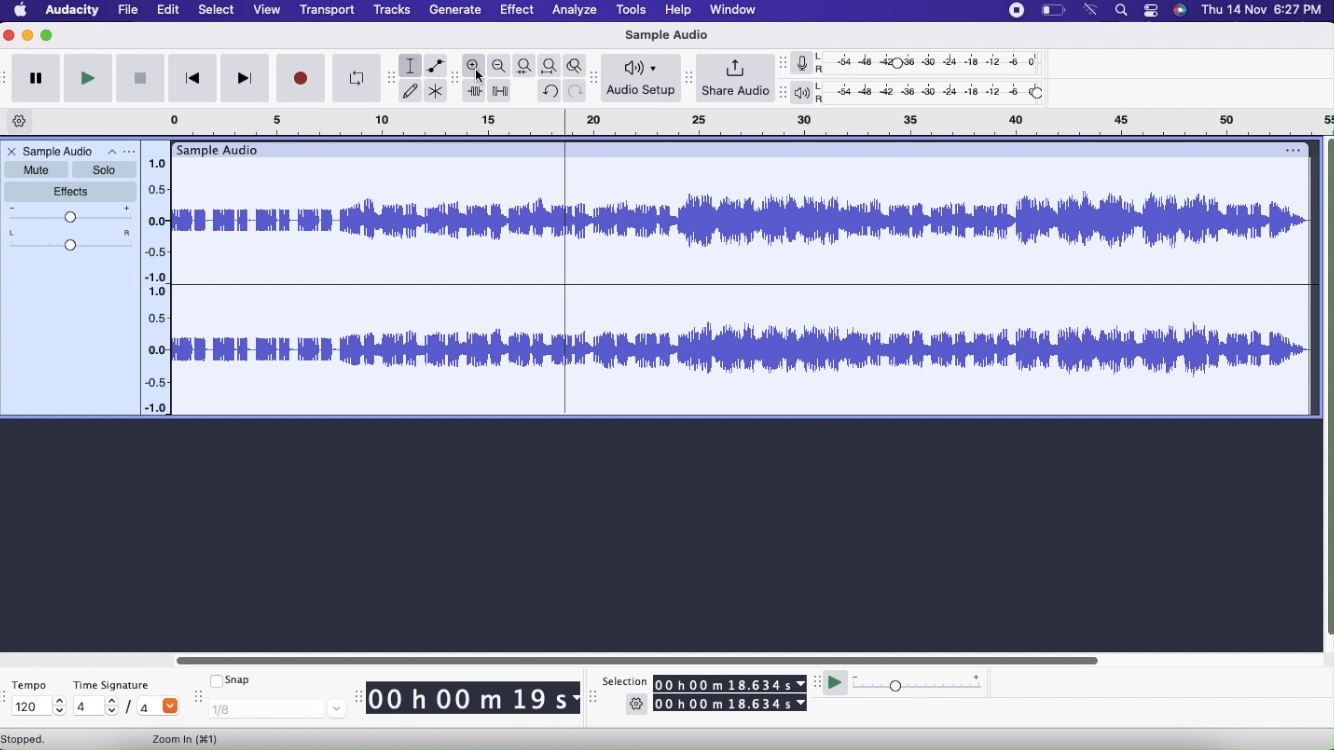 The width and height of the screenshot is (1334, 750). Describe the element at coordinates (733, 10) in the screenshot. I see `Window` at that location.